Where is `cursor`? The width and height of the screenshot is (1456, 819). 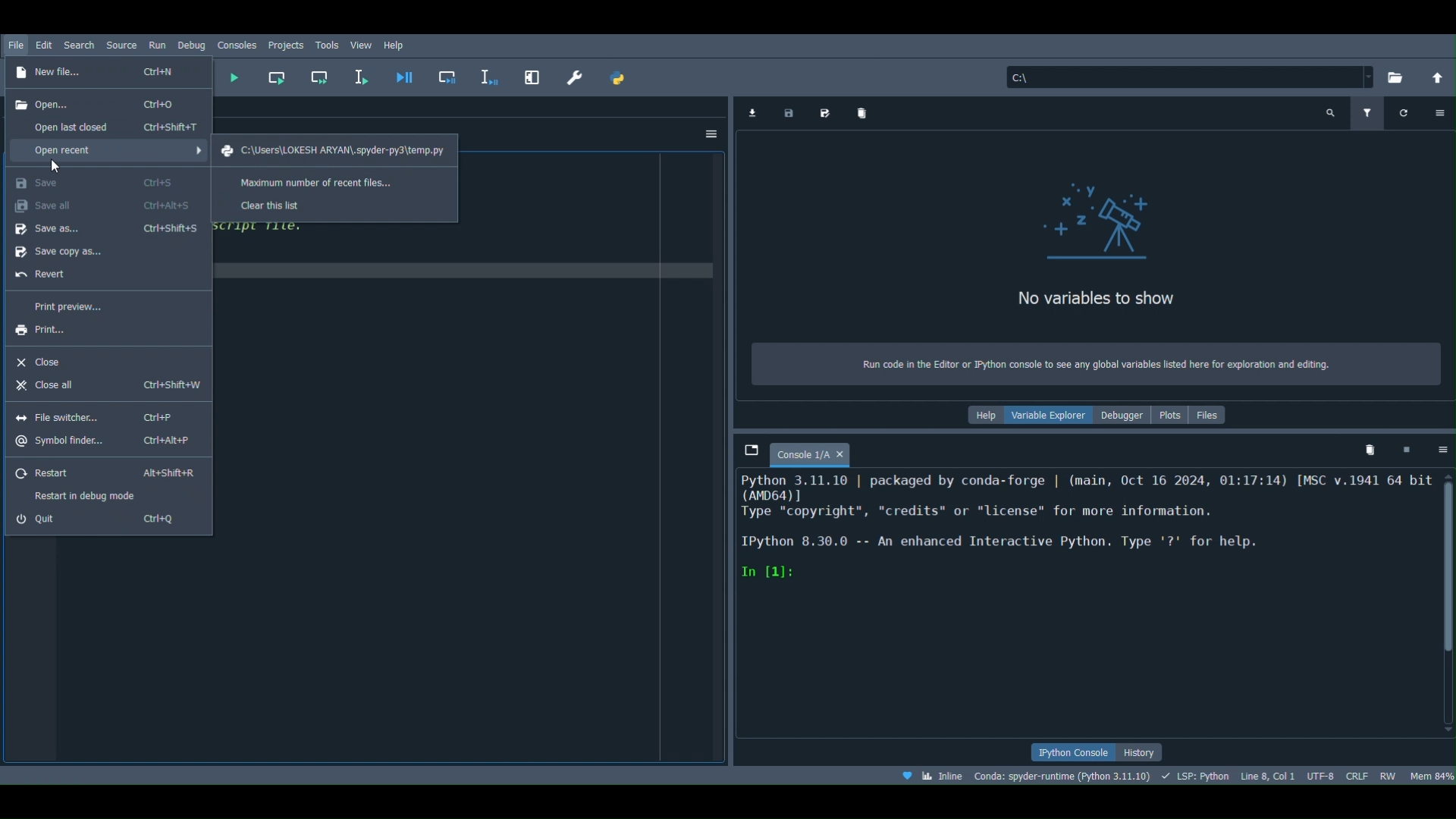
cursor is located at coordinates (56, 165).